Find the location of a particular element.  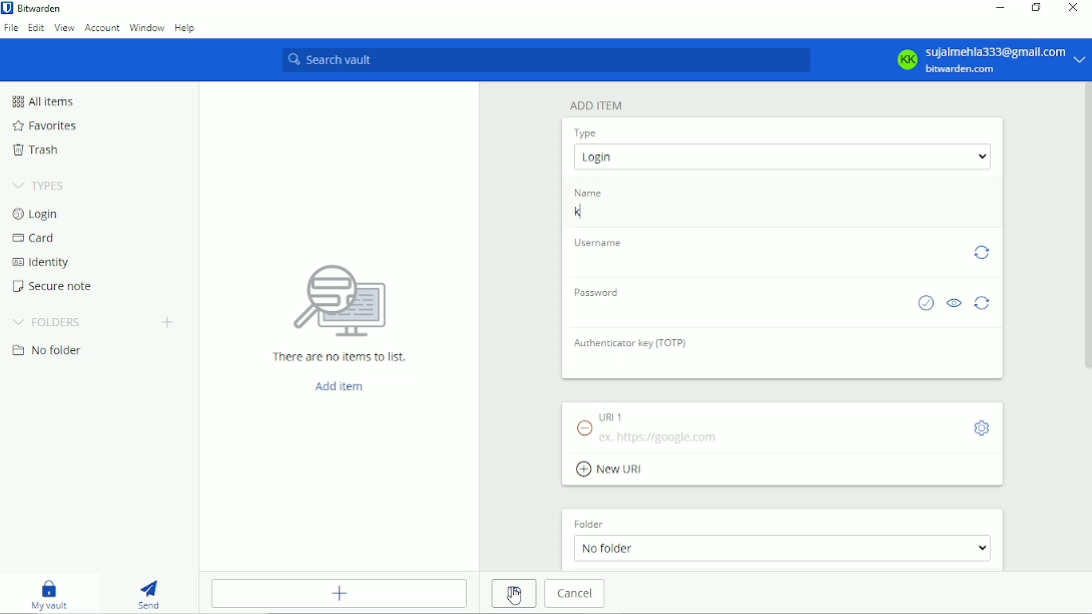

Types is located at coordinates (38, 186).